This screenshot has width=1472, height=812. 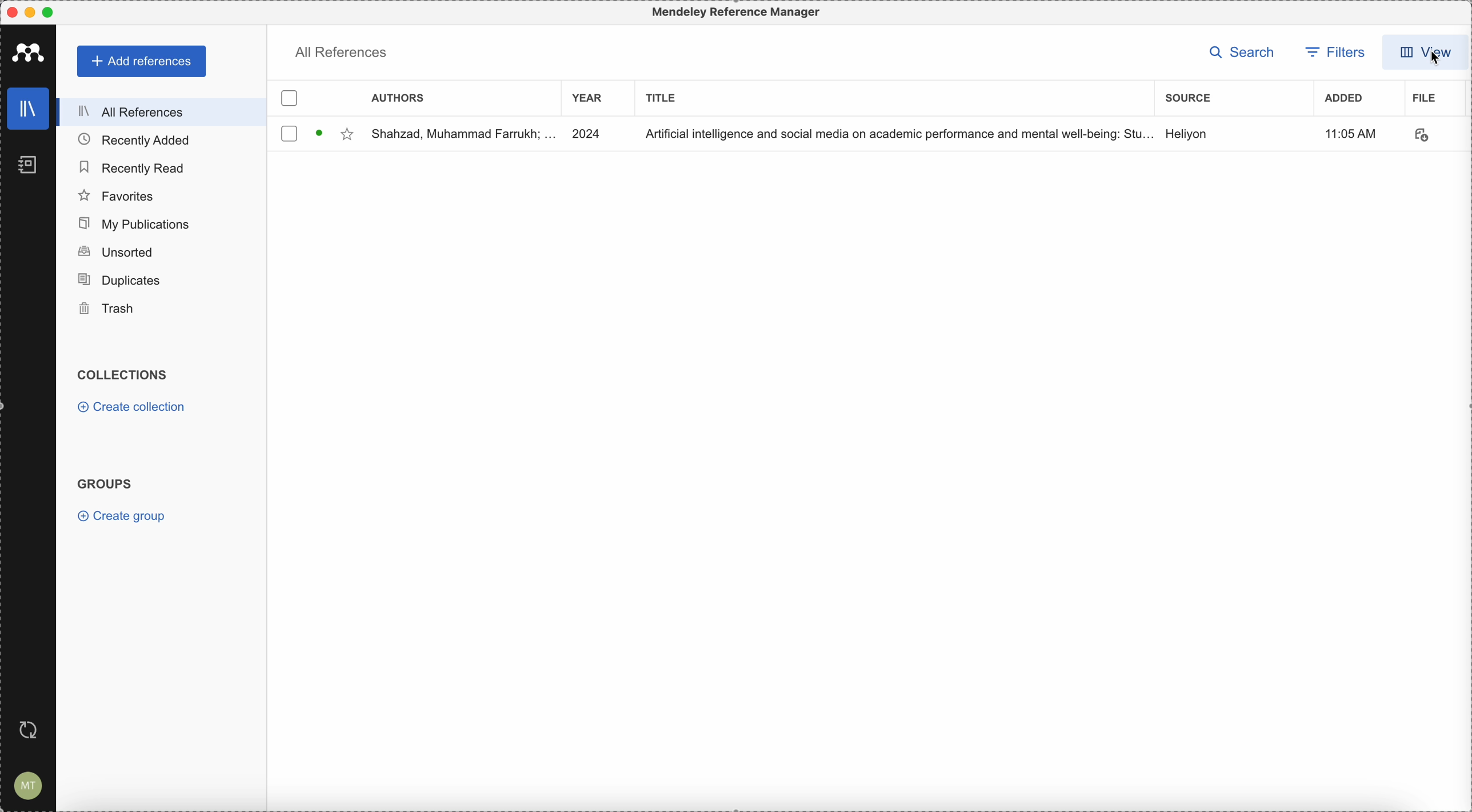 What do you see at coordinates (1346, 101) in the screenshot?
I see `added` at bounding box center [1346, 101].